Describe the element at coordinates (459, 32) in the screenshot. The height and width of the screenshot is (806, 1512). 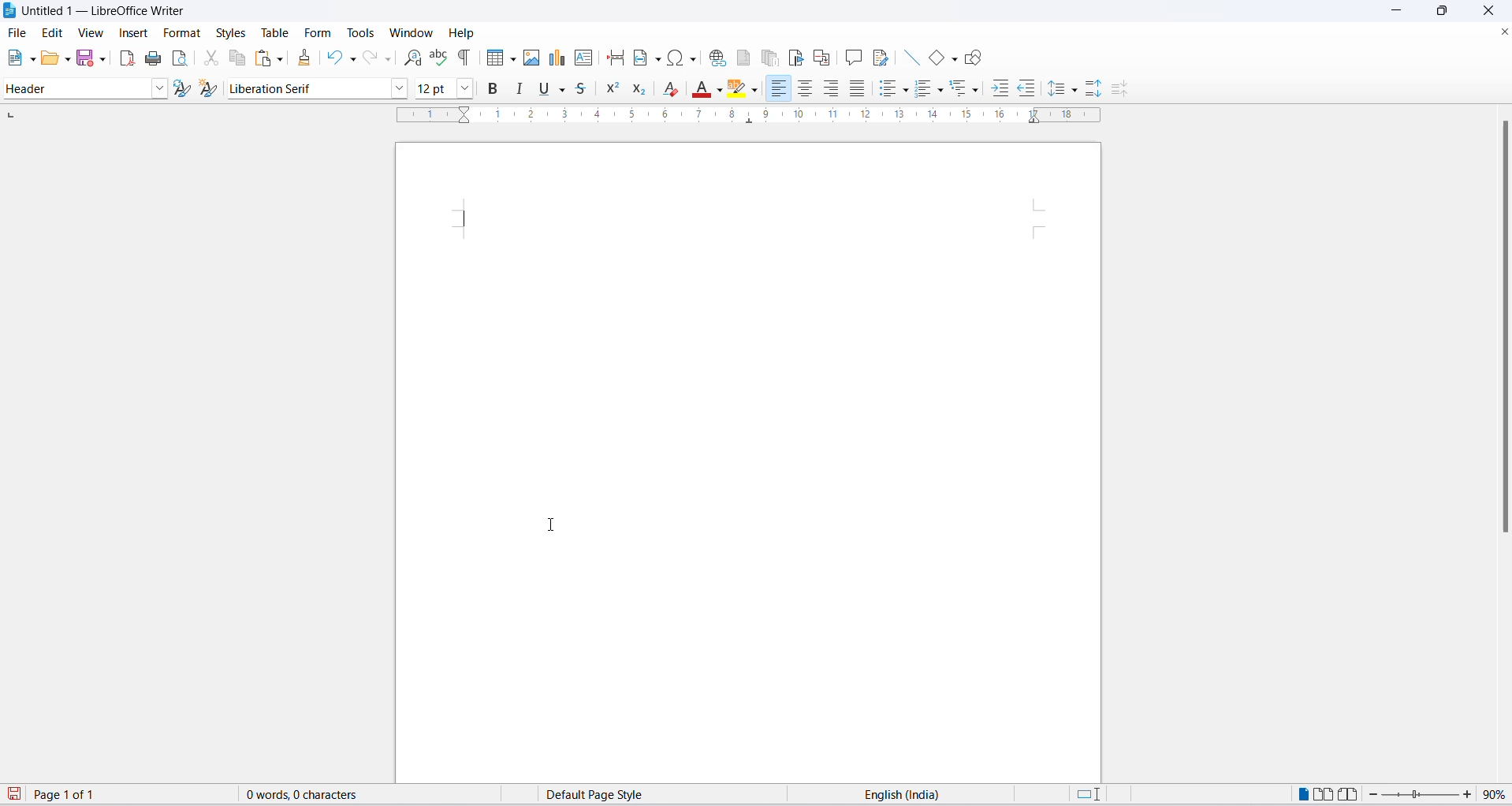
I see `help` at that location.